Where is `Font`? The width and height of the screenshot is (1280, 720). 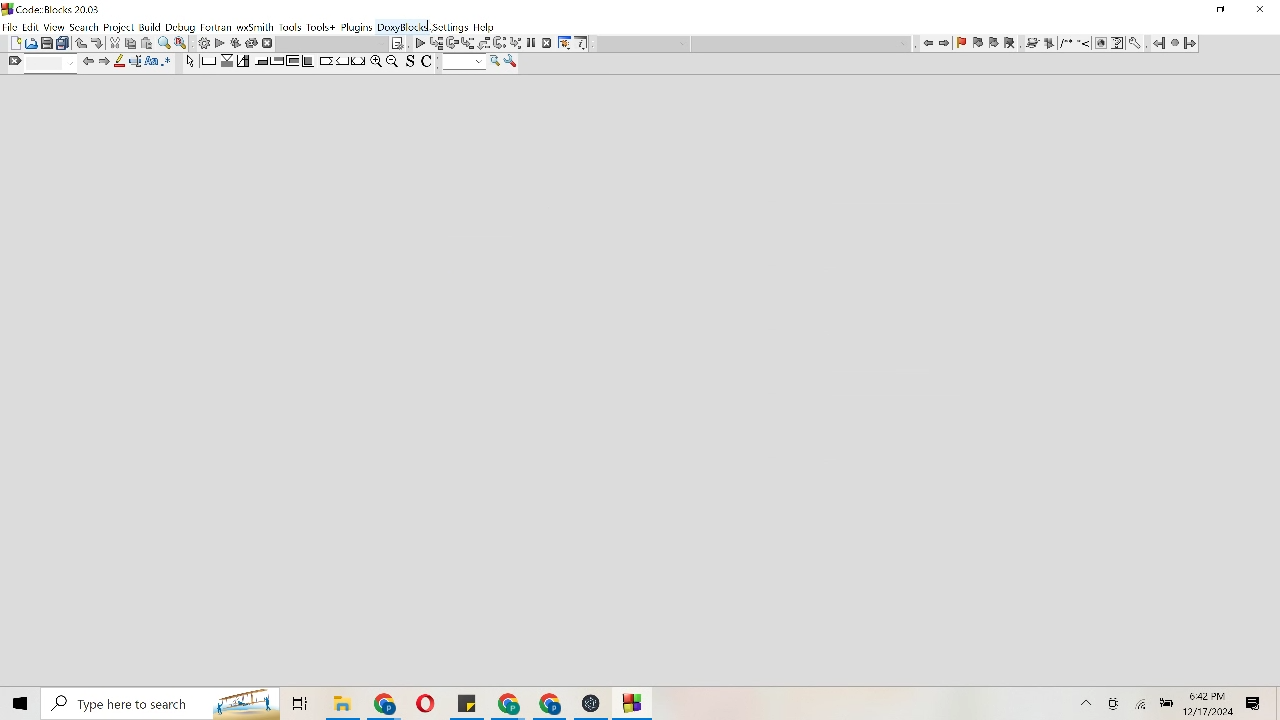 Font is located at coordinates (153, 62).